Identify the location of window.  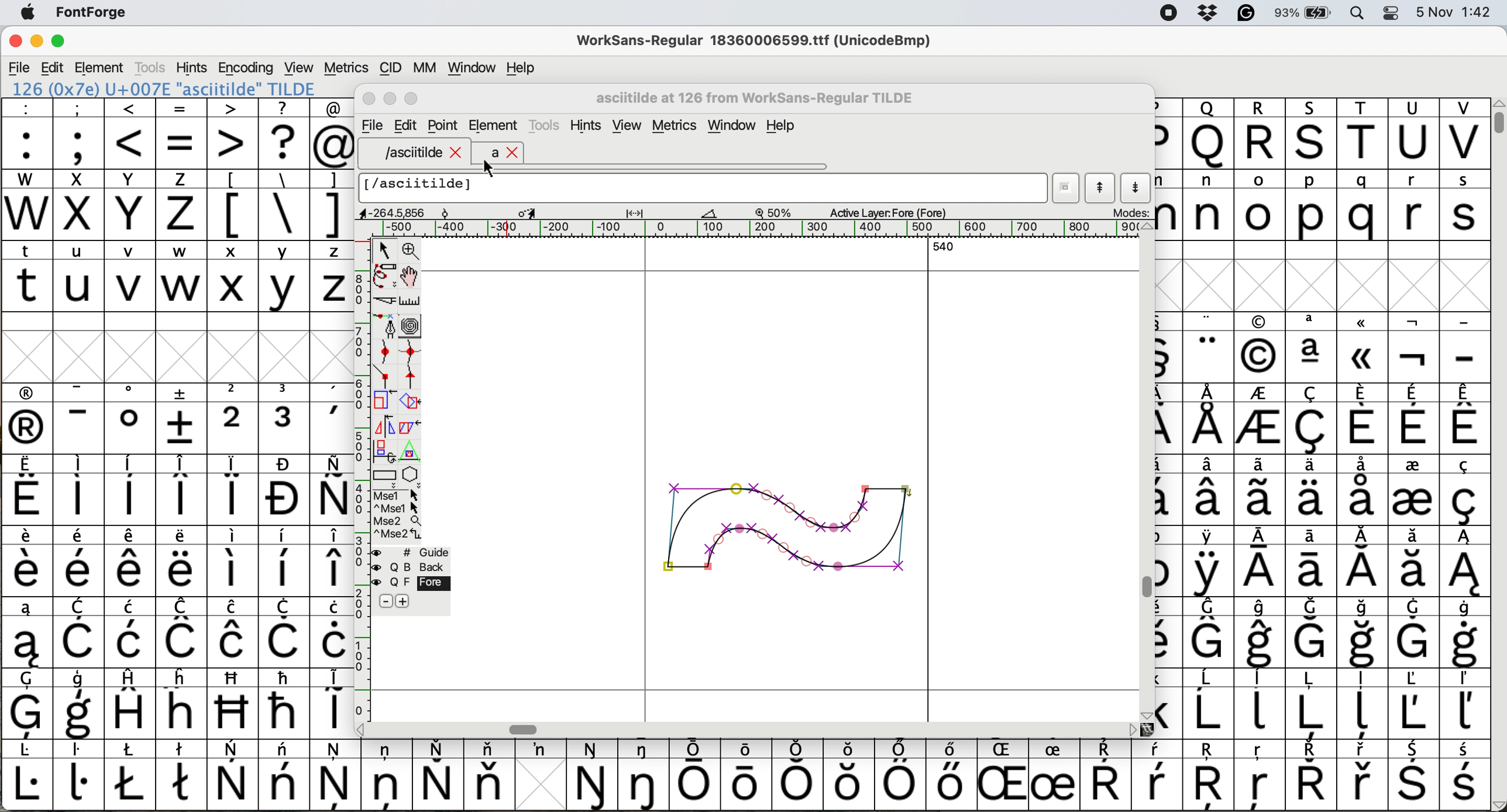
(469, 68).